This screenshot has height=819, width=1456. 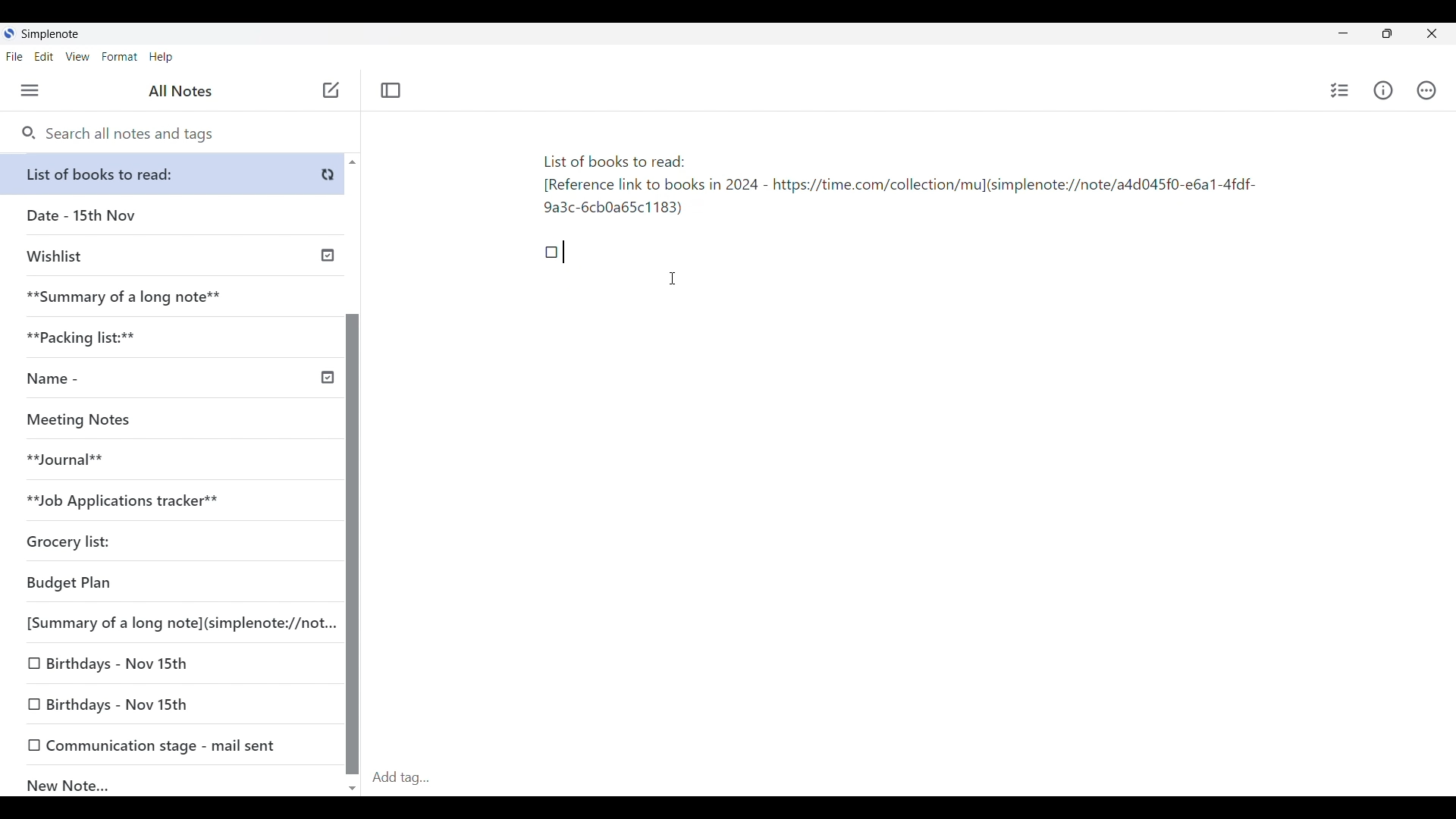 I want to click on List of books to read:
[Reference link to books in 2024 - https://time.com/collection/mul(simplenote:/note/add045f0-e6a1-4fdf-, so click(x=897, y=188).